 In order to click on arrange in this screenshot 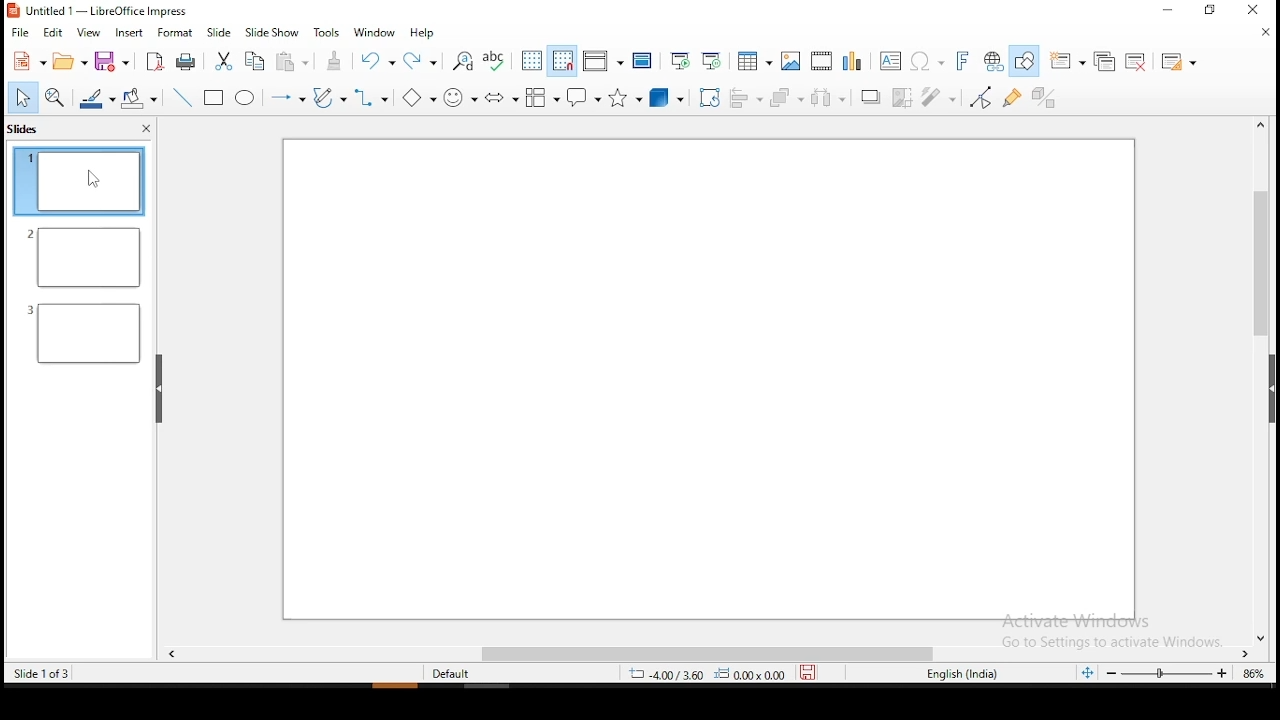, I will do `click(788, 97)`.